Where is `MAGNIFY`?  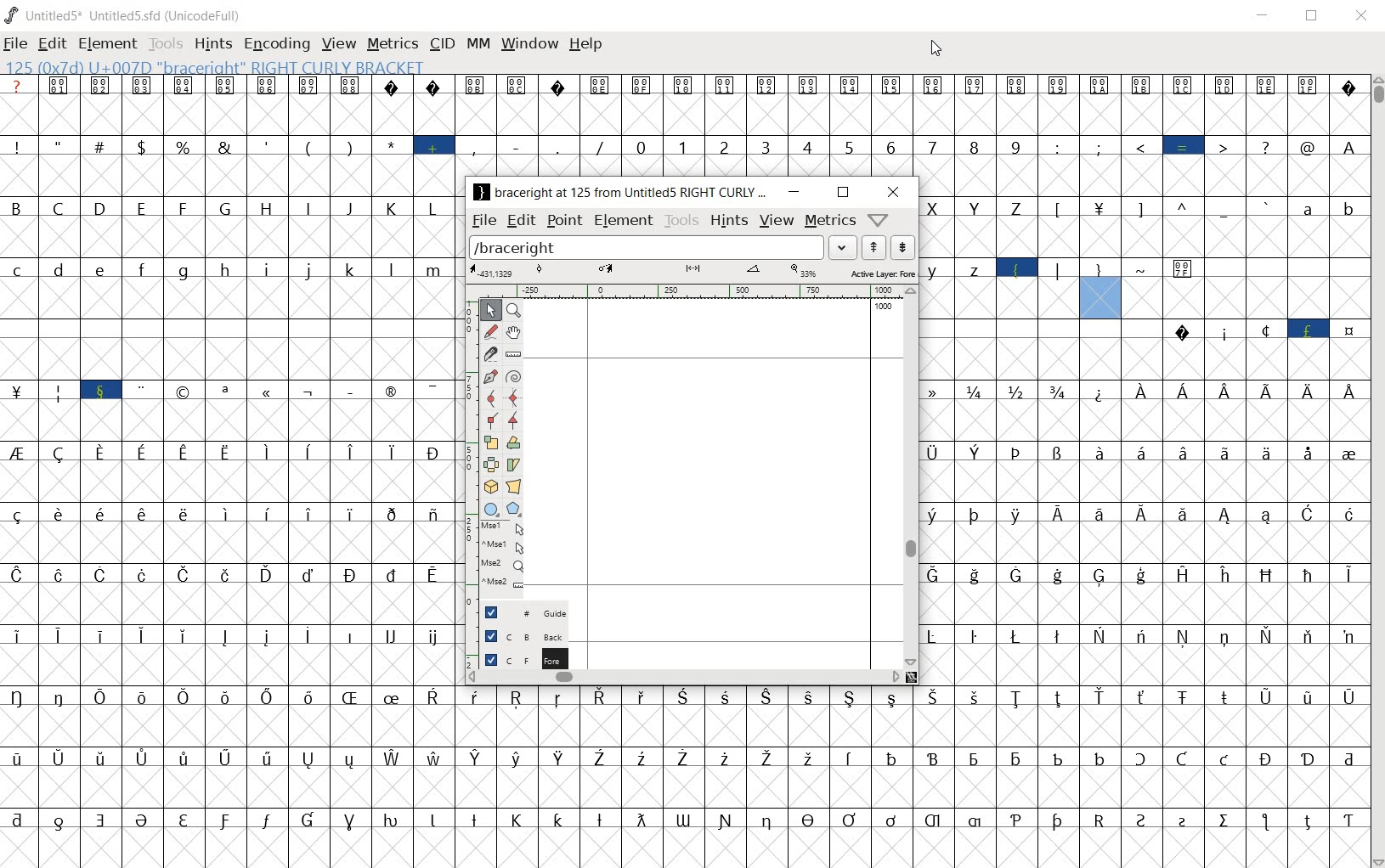 MAGNIFY is located at coordinates (515, 309).